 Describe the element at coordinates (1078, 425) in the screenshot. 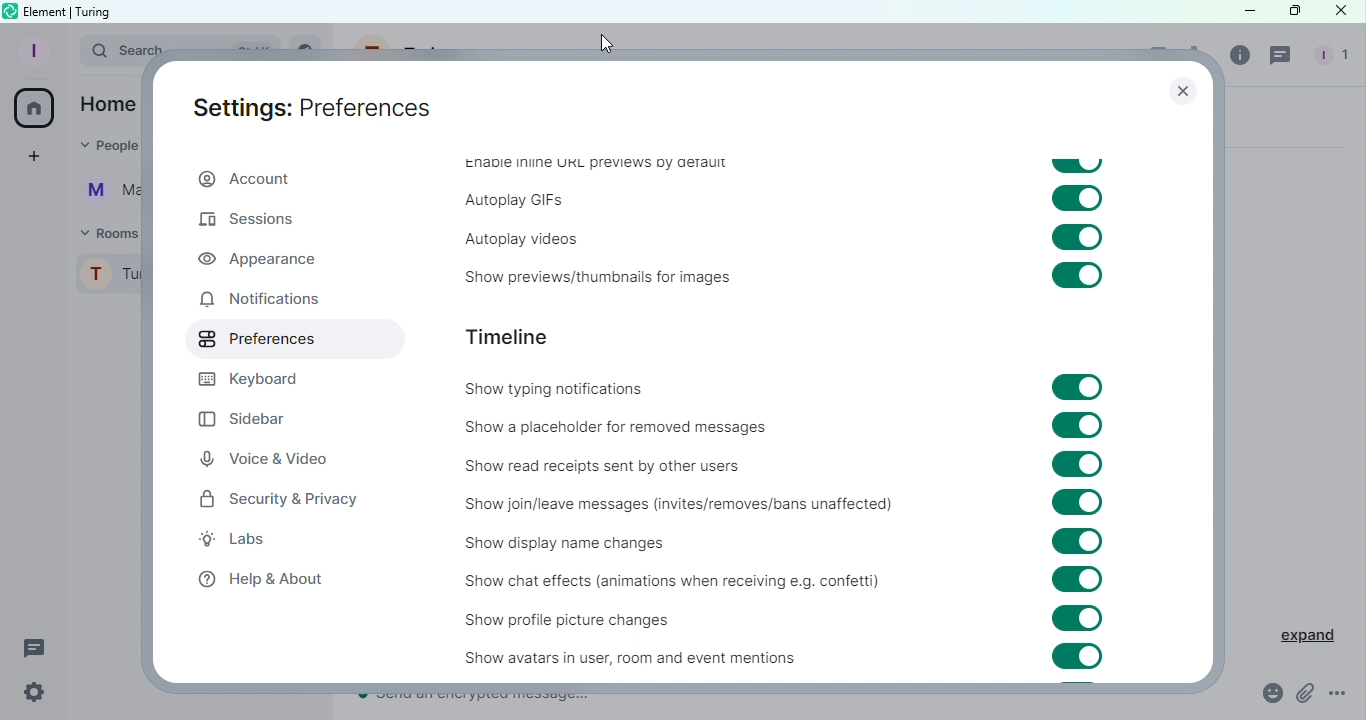

I see `Toggle` at that location.